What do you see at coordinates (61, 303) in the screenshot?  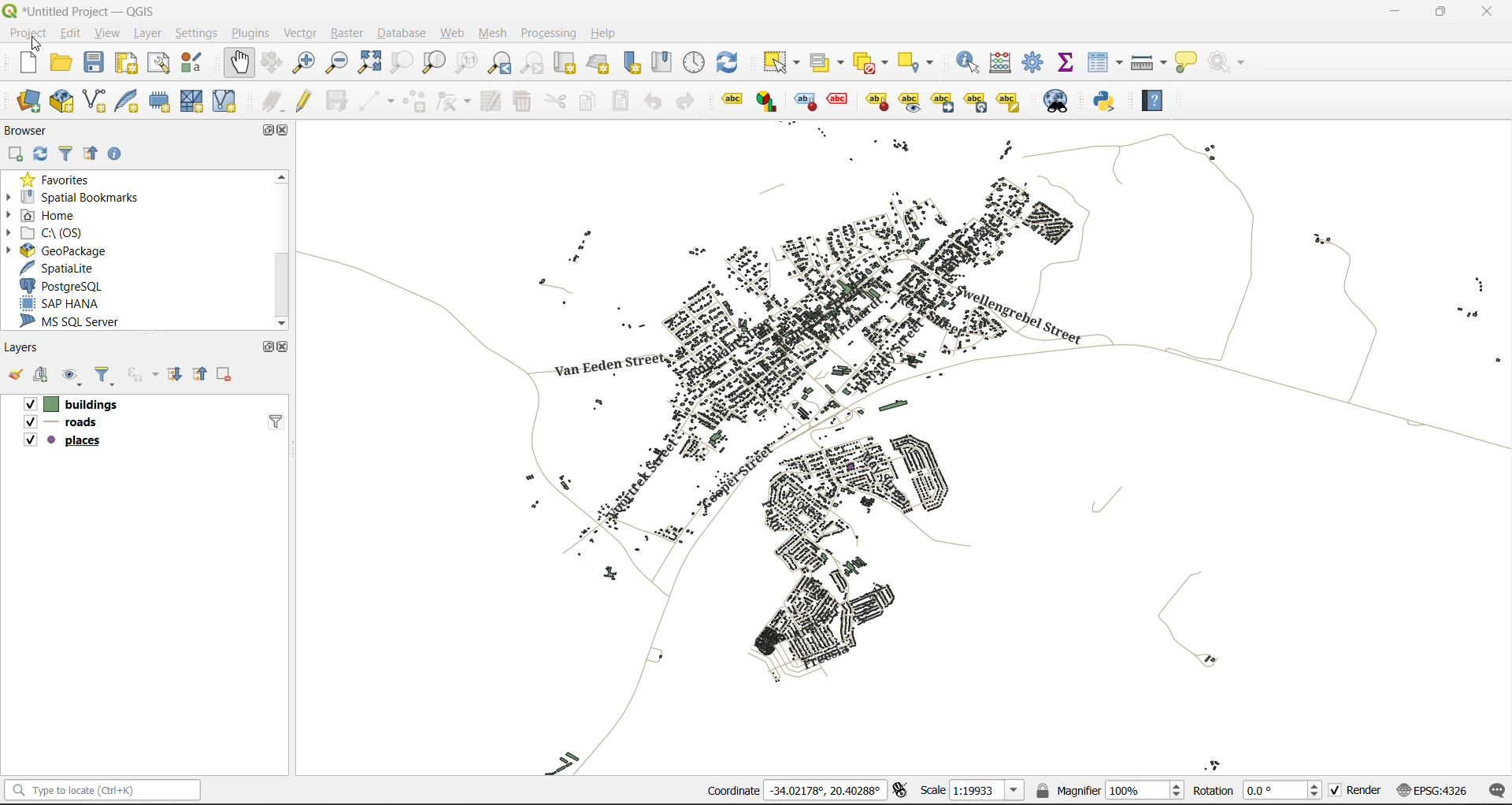 I see `sap hana` at bounding box center [61, 303].